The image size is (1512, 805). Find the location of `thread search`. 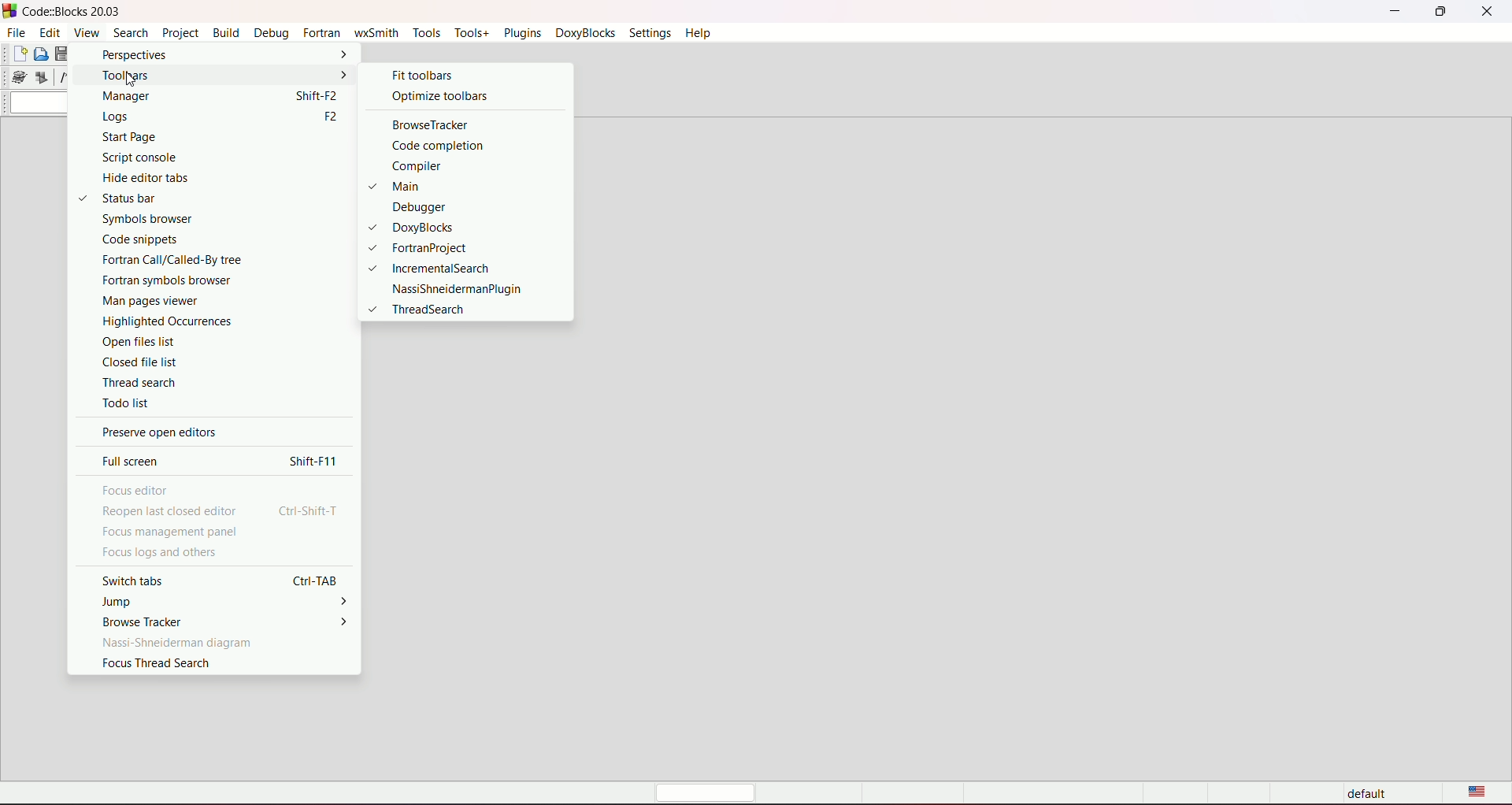

thread search is located at coordinates (417, 310).